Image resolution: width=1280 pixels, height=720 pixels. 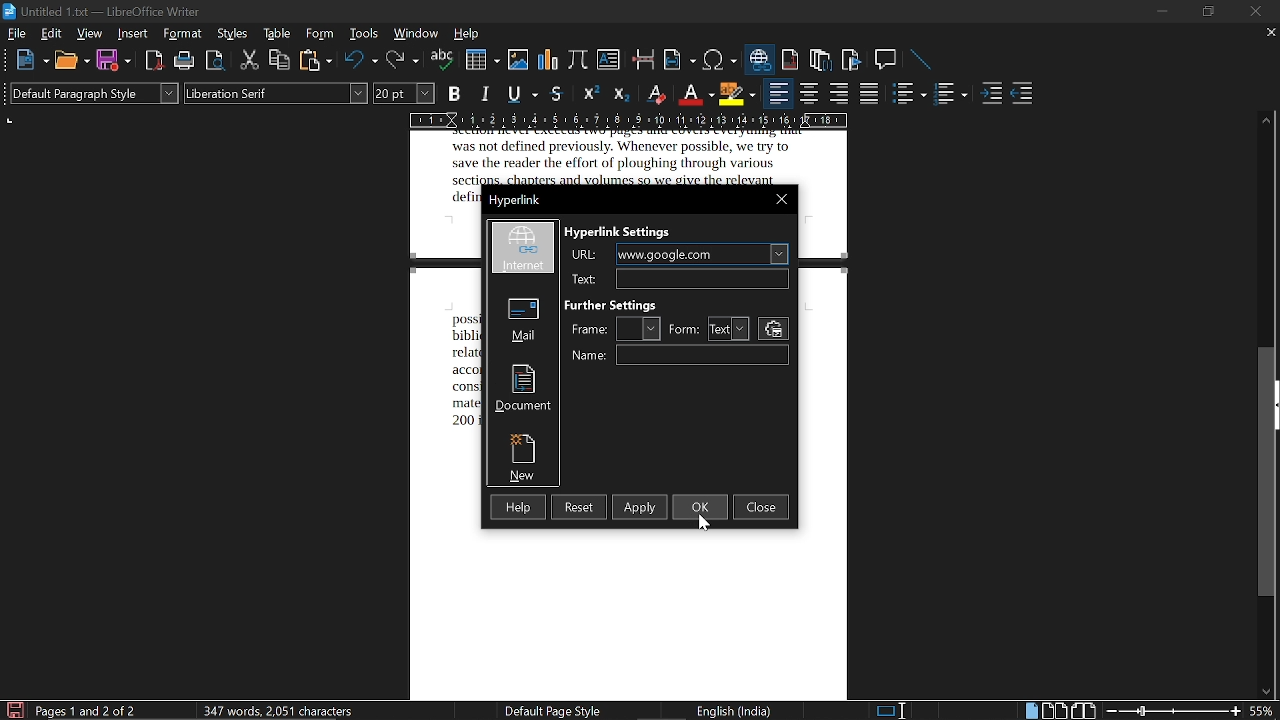 I want to click on bold, so click(x=455, y=94).